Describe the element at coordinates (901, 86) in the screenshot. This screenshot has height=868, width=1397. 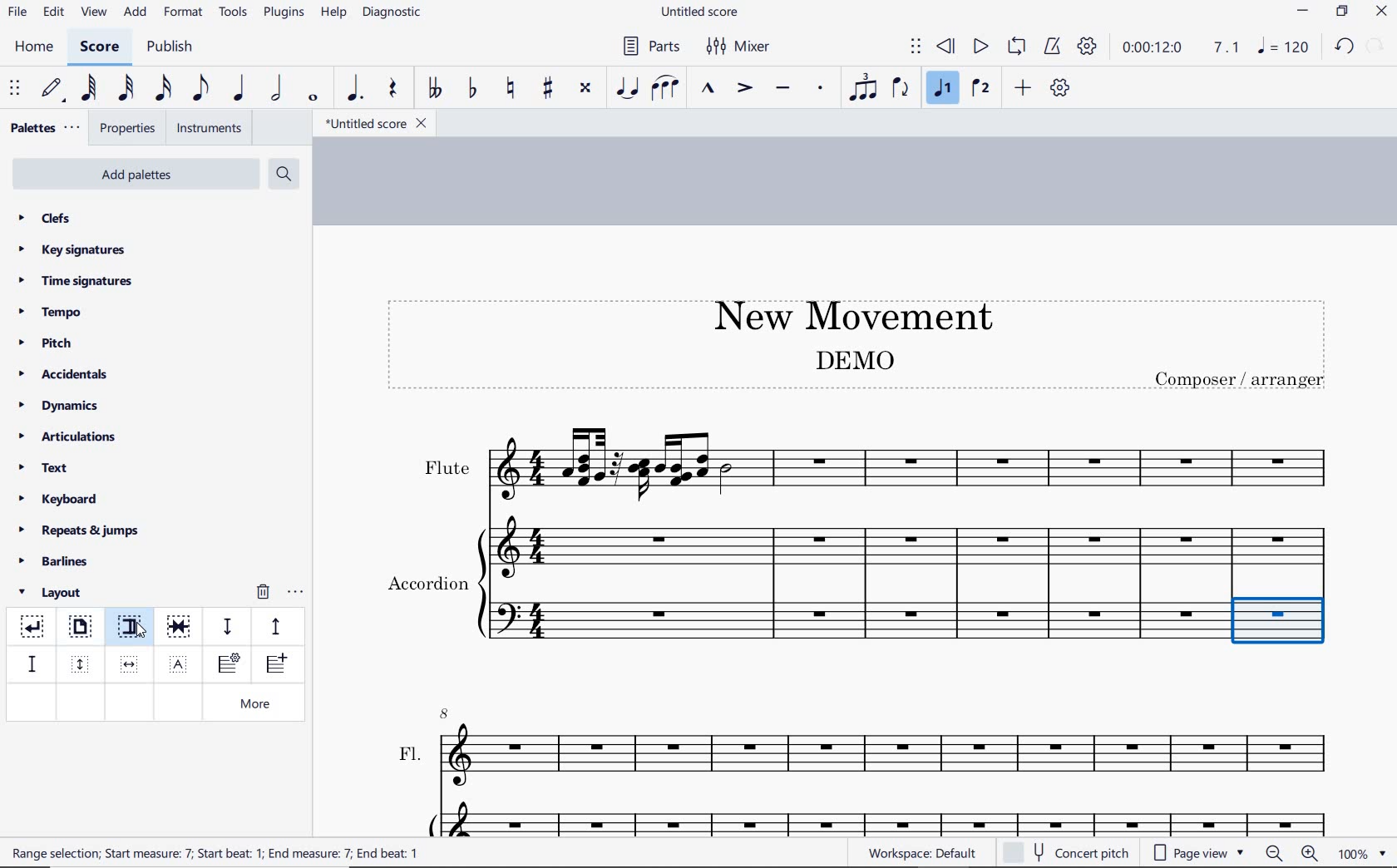
I see `flip direction` at that location.